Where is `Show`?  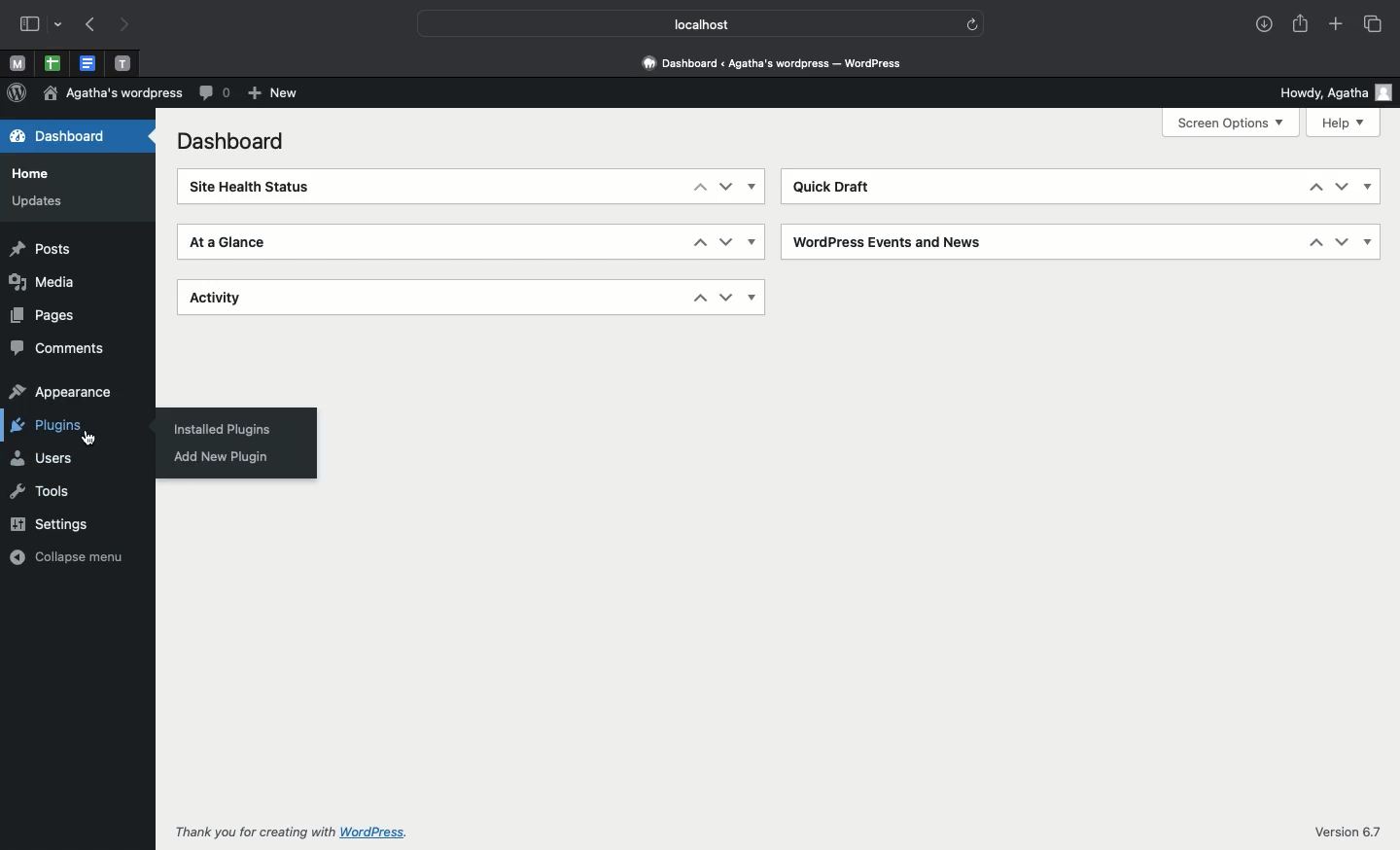 Show is located at coordinates (753, 185).